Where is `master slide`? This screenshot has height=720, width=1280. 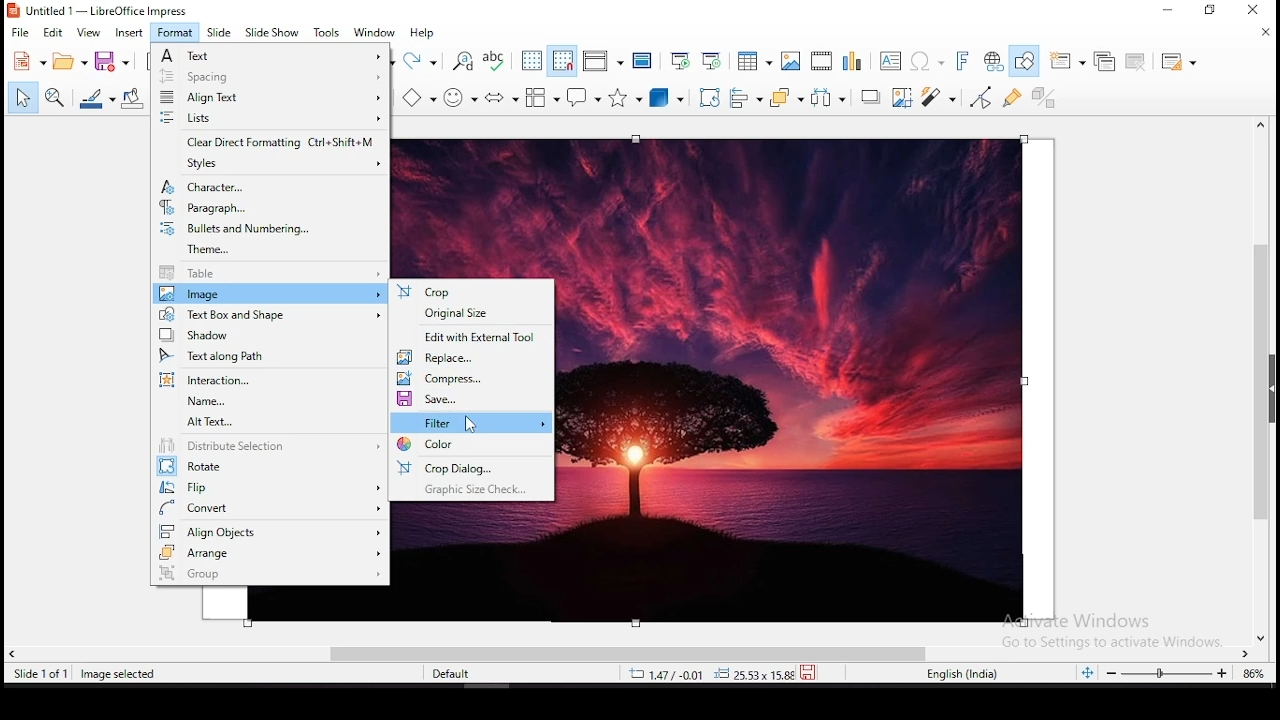
master slide is located at coordinates (641, 60).